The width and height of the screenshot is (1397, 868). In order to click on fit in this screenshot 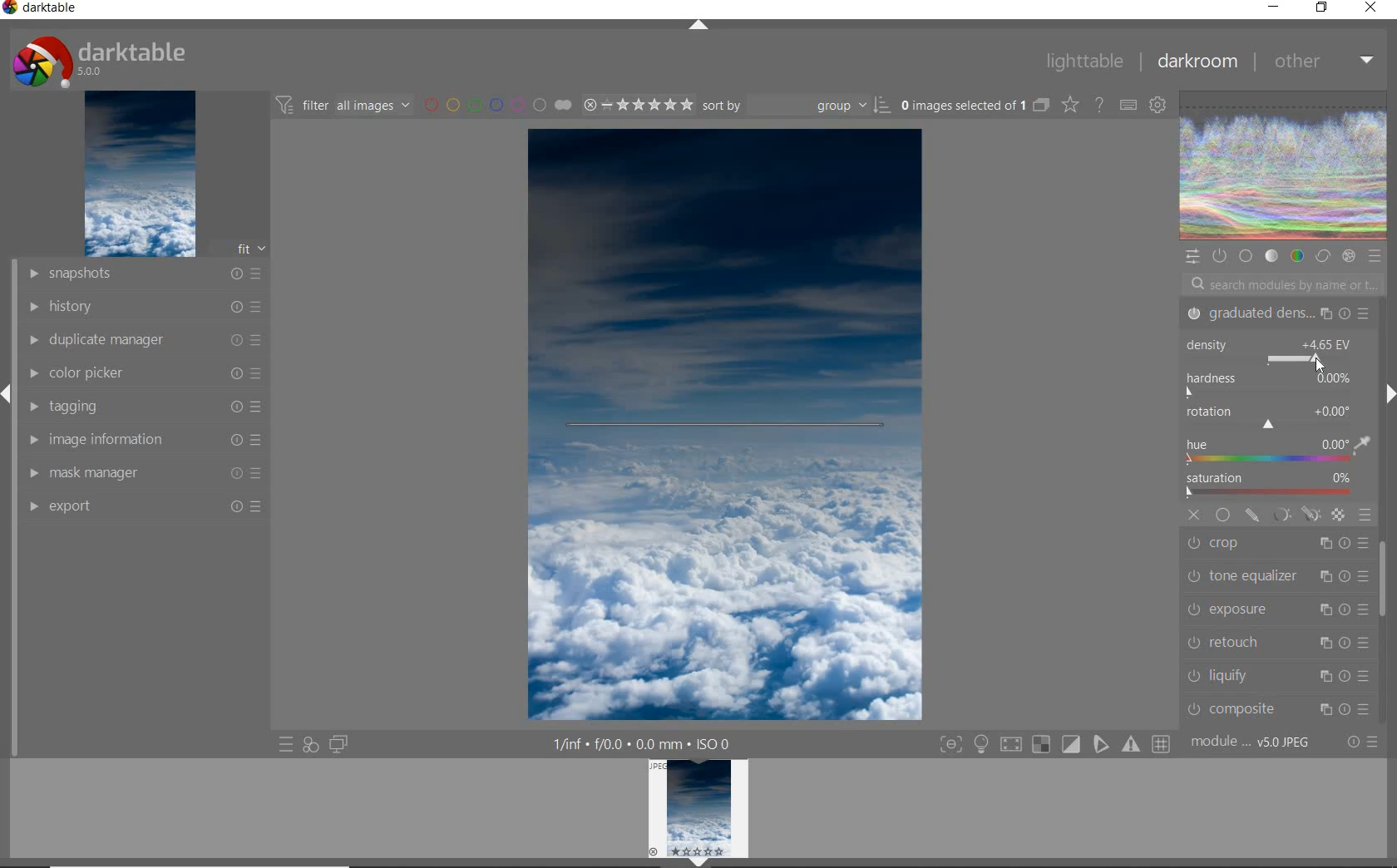, I will do `click(241, 249)`.